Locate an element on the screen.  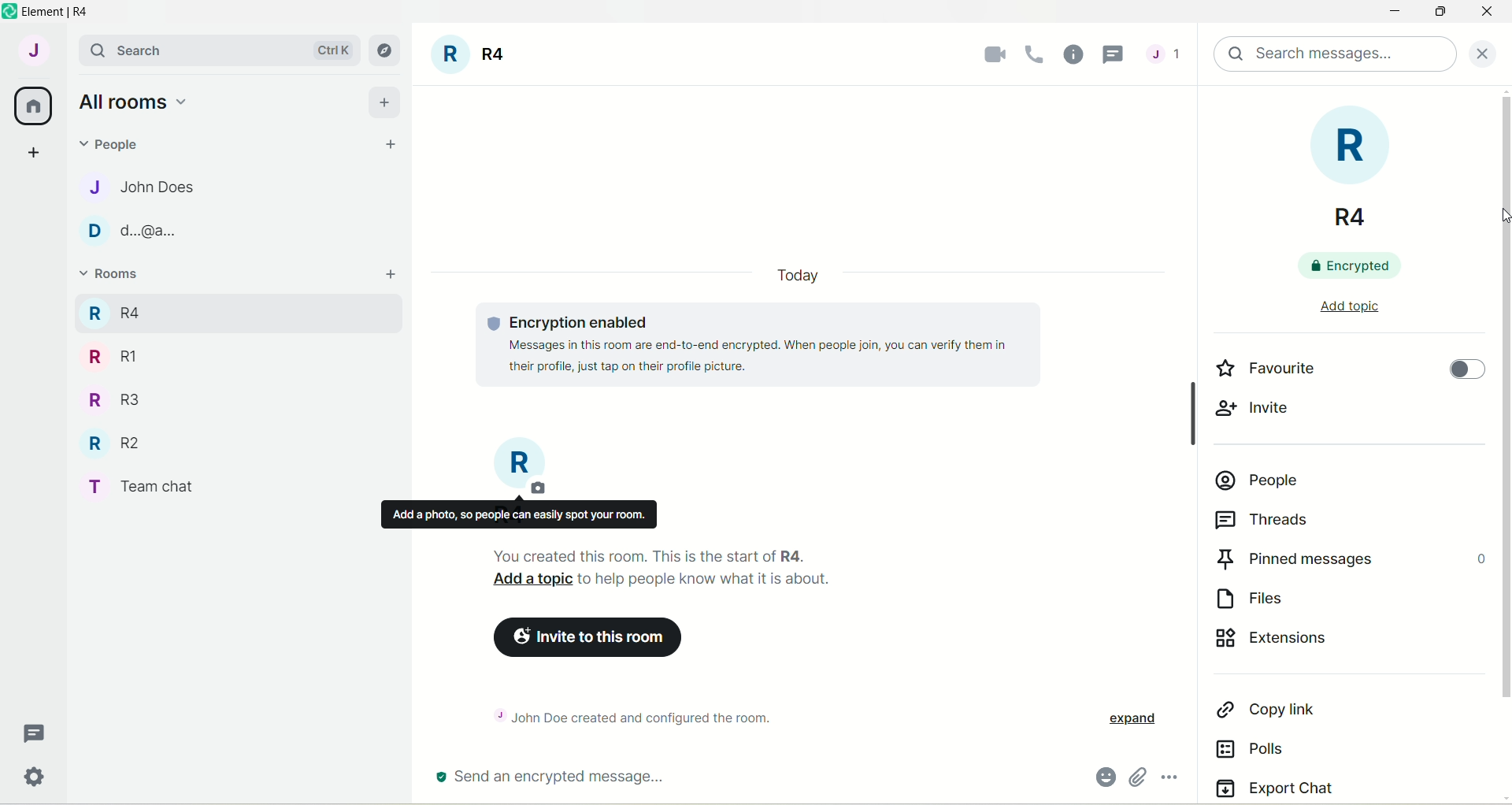
send an encrypted message... is located at coordinates (661, 778).